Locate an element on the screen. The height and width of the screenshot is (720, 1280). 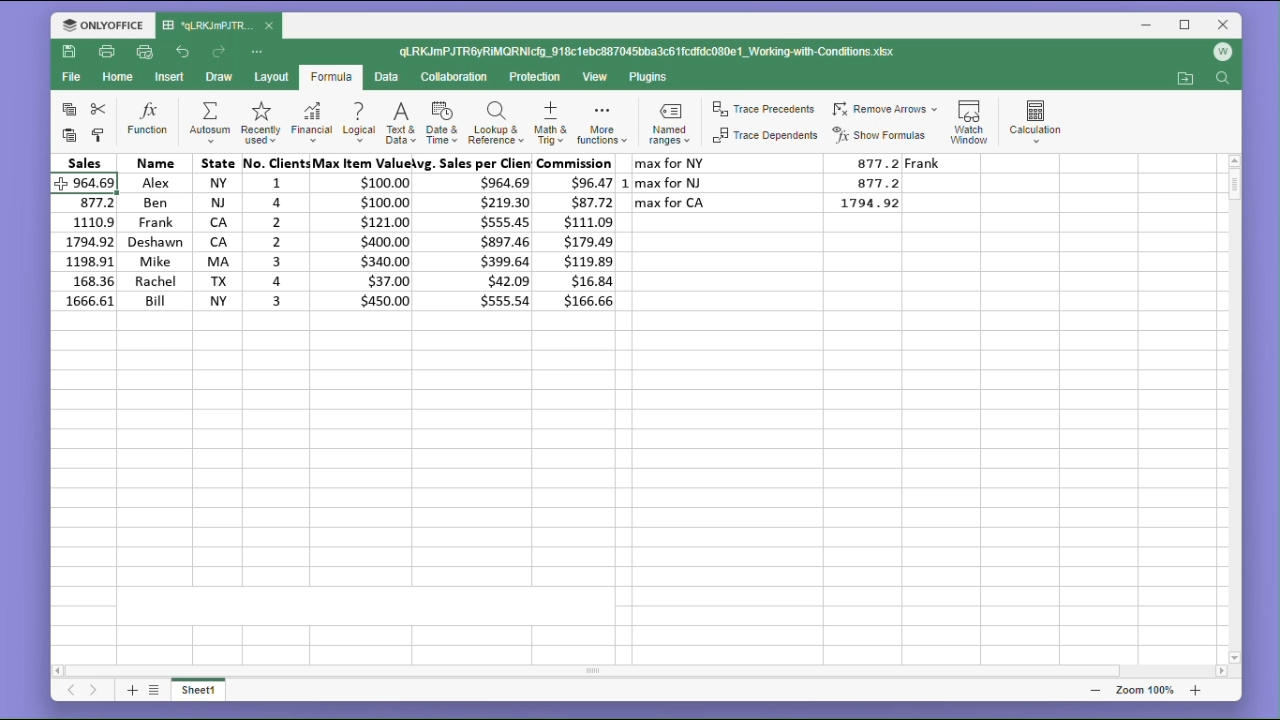
layout is located at coordinates (270, 78).